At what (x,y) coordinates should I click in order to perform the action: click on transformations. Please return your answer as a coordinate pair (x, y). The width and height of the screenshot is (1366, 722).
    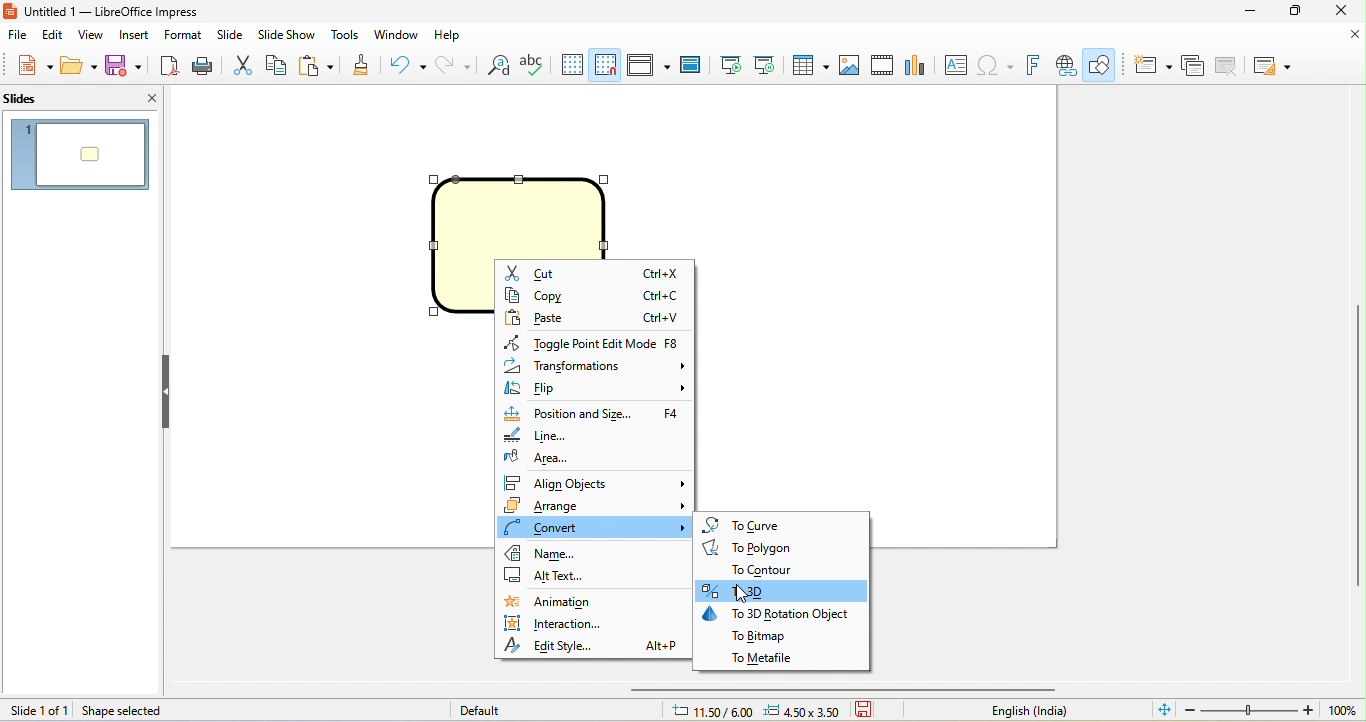
    Looking at the image, I should click on (596, 365).